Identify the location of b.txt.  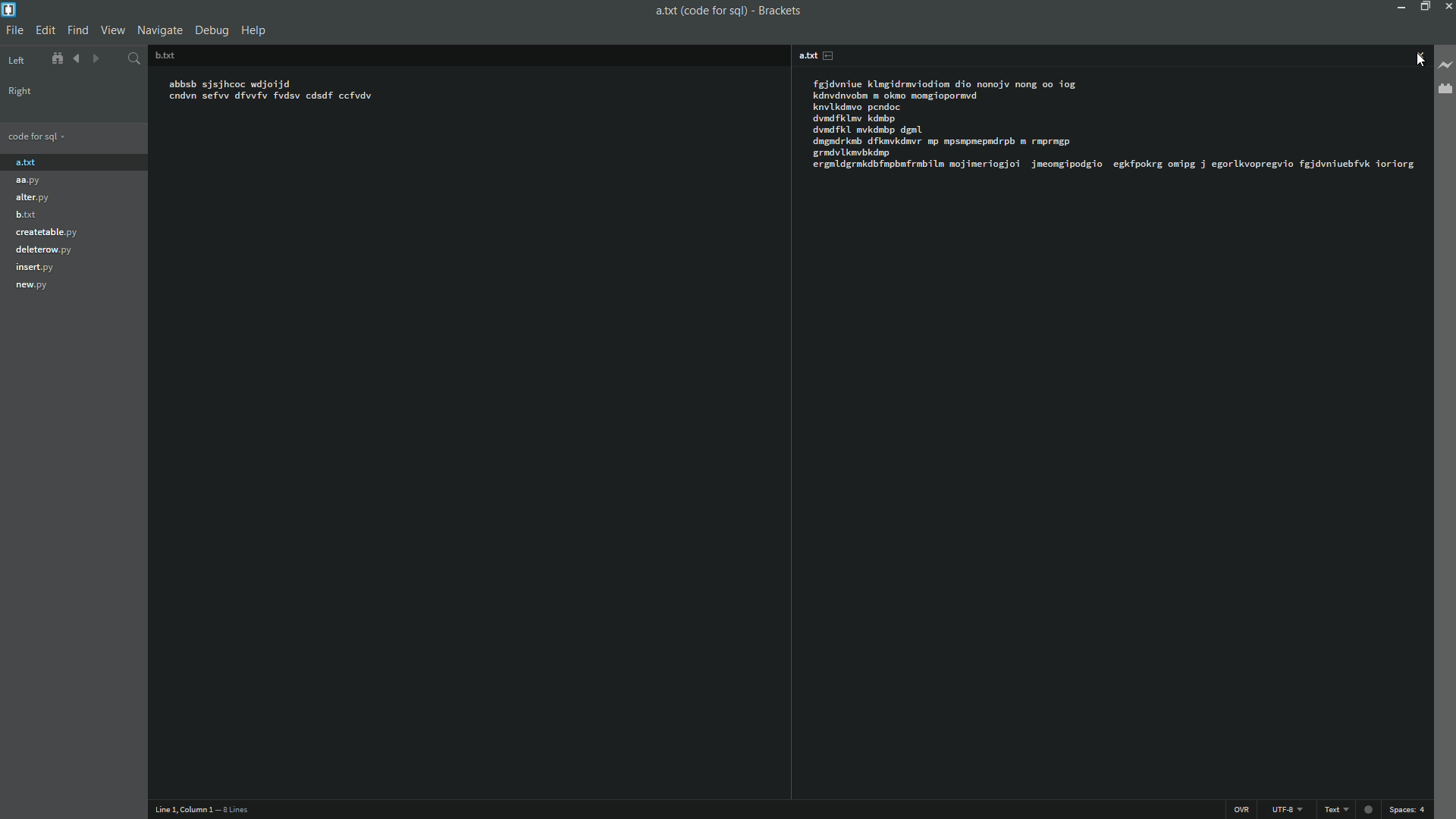
(178, 55).